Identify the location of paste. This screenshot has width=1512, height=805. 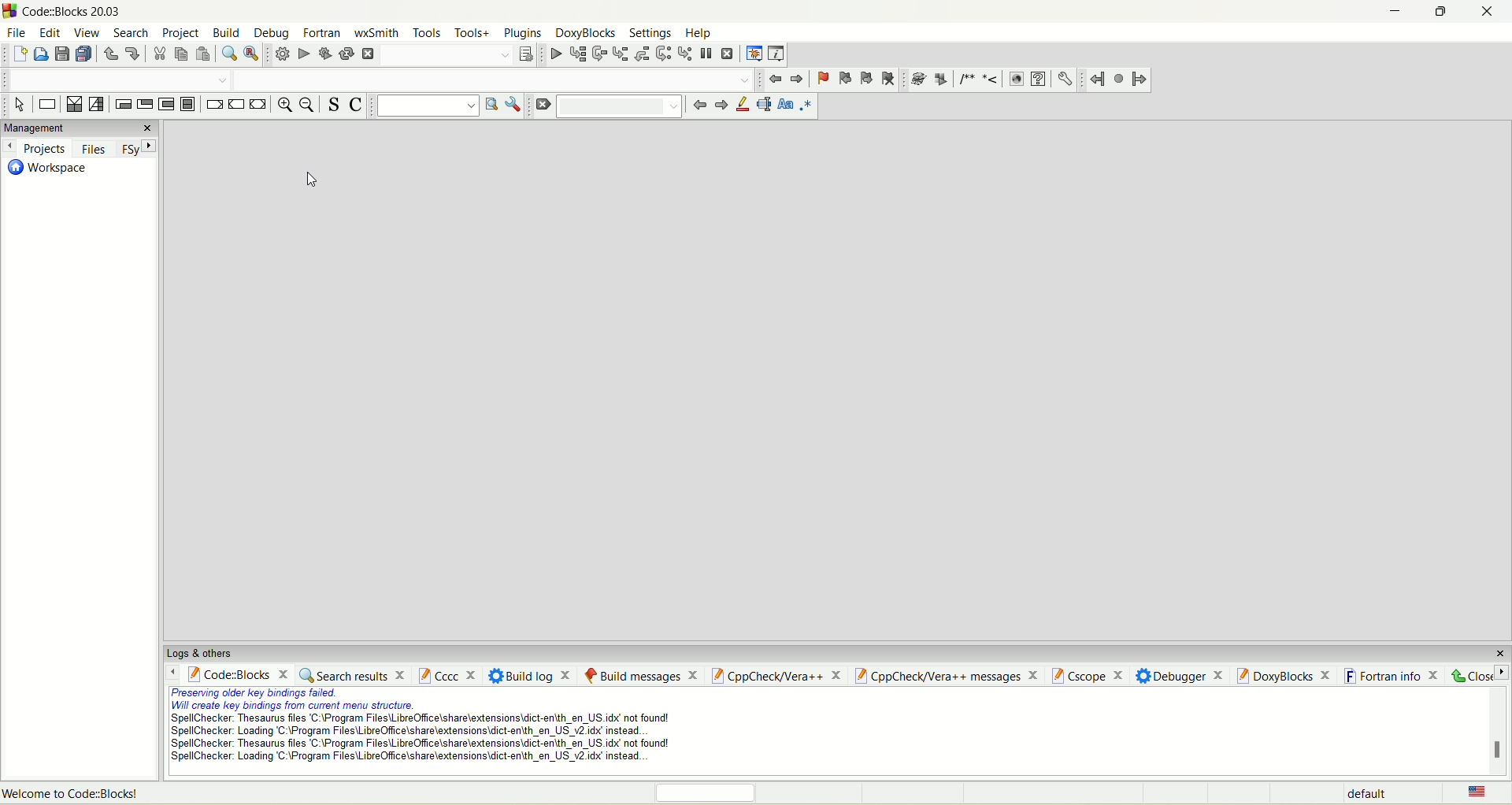
(205, 54).